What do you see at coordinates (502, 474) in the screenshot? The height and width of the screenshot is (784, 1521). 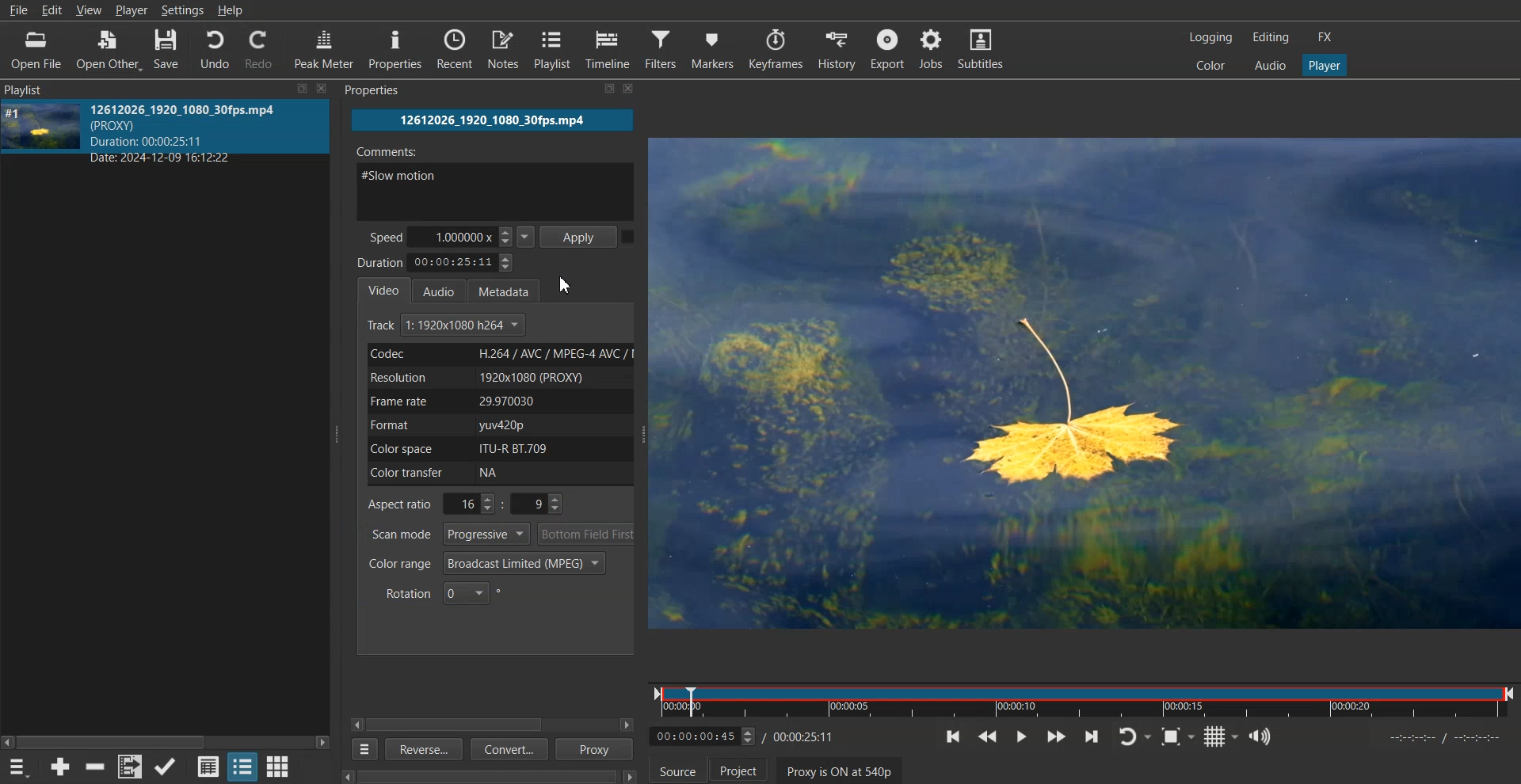 I see `Color Transfer` at bounding box center [502, 474].